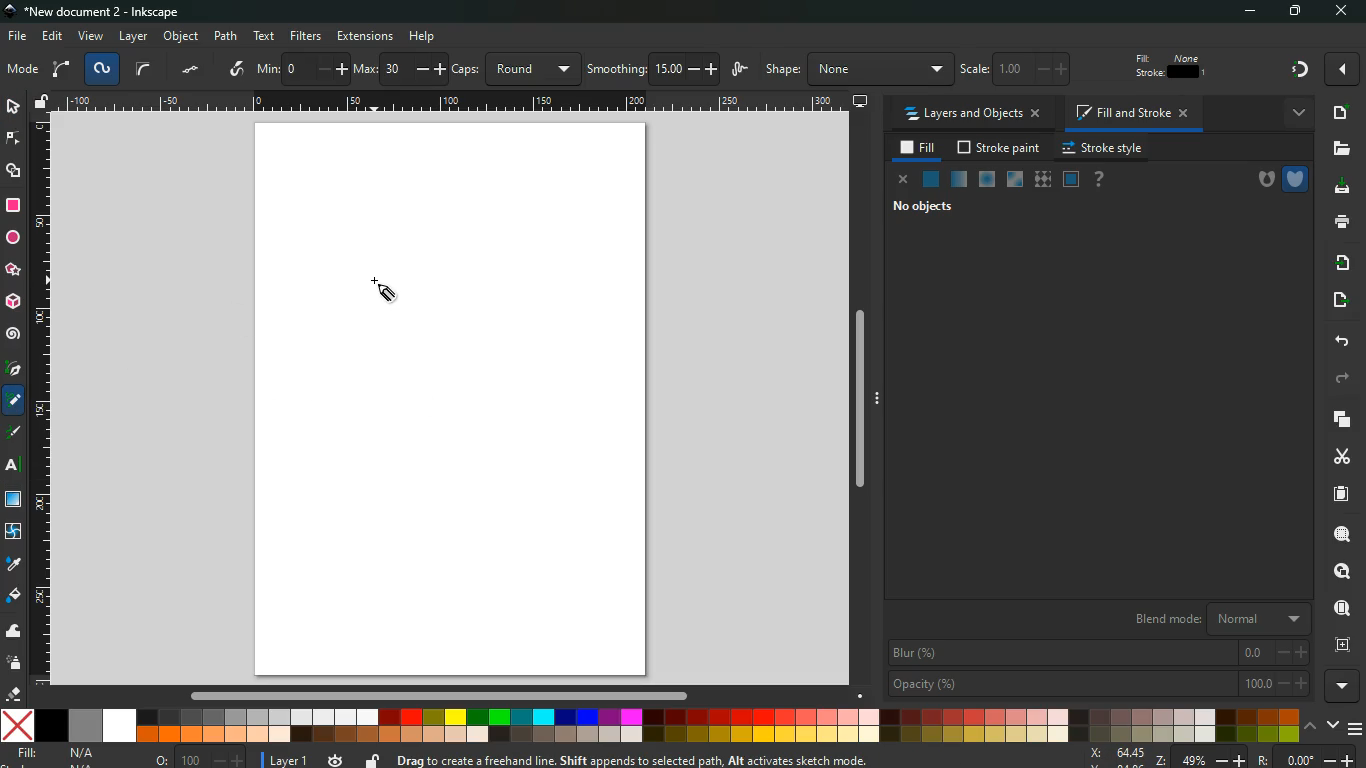  I want to click on pic, so click(13, 369).